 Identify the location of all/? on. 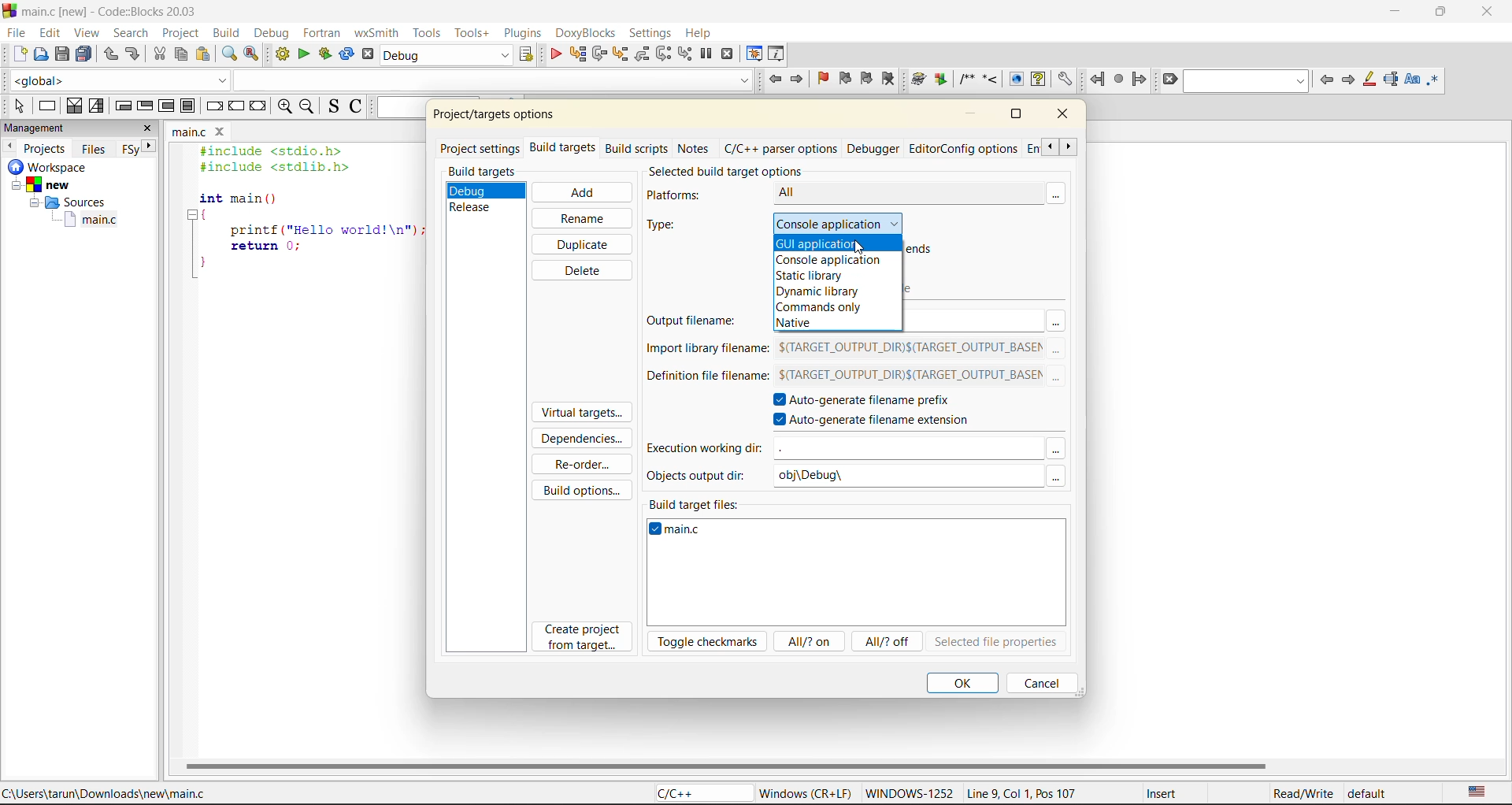
(810, 640).